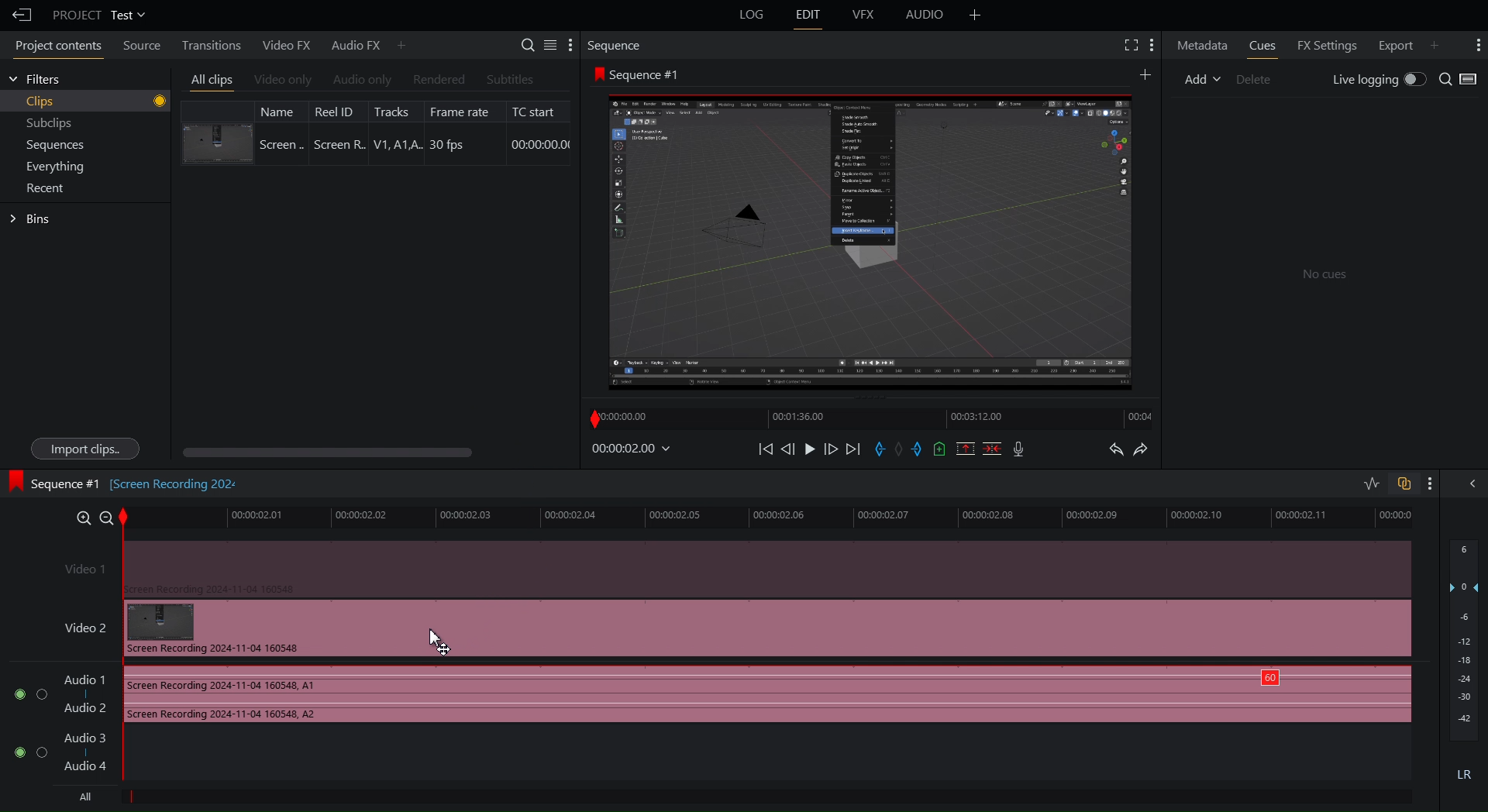 This screenshot has height=812, width=1488. What do you see at coordinates (511, 79) in the screenshot?
I see `Subtitles` at bounding box center [511, 79].